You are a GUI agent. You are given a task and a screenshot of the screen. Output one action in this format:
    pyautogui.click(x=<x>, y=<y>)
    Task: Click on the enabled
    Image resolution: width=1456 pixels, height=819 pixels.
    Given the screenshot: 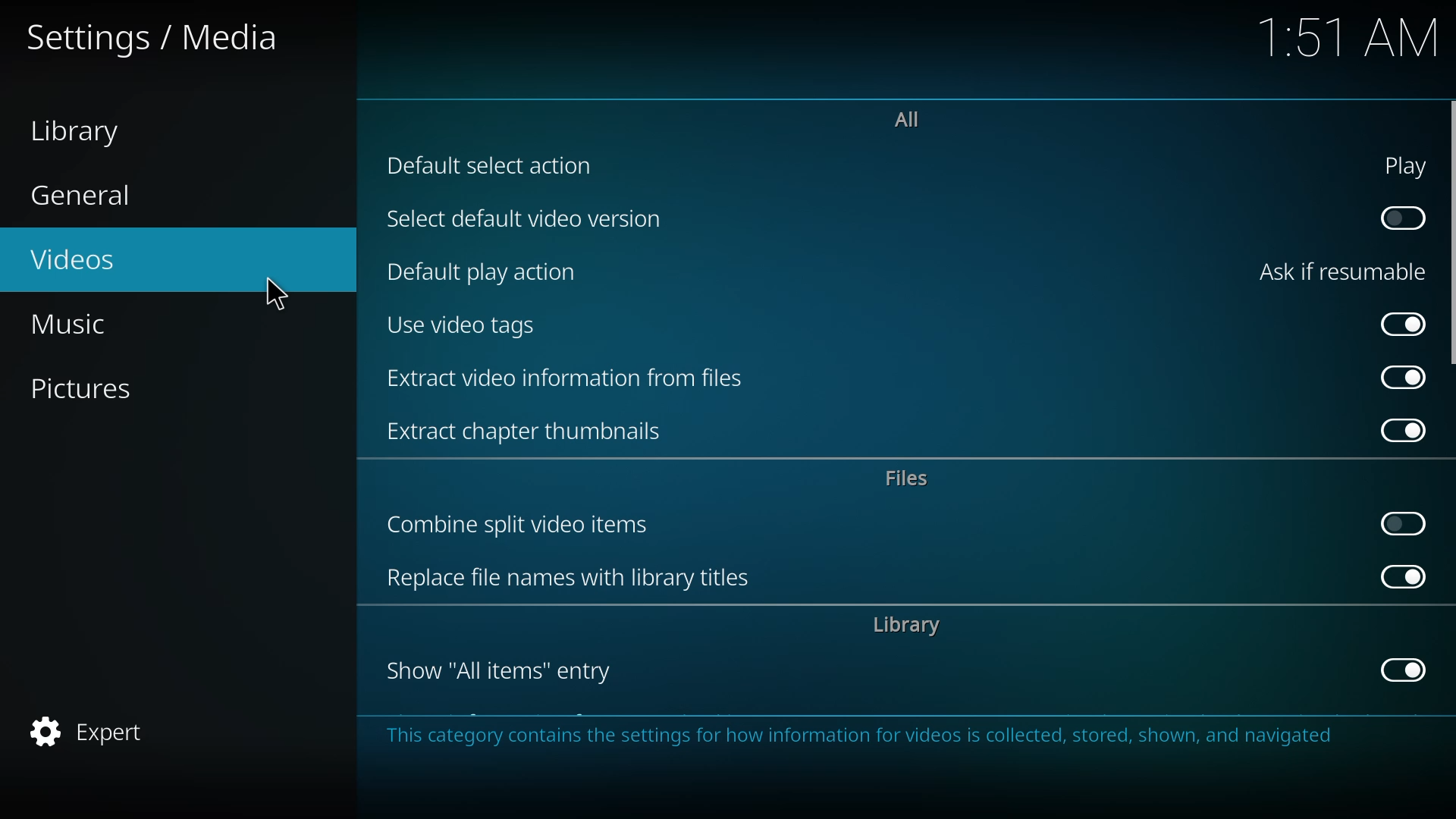 What is the action you would take?
    pyautogui.click(x=1399, y=377)
    